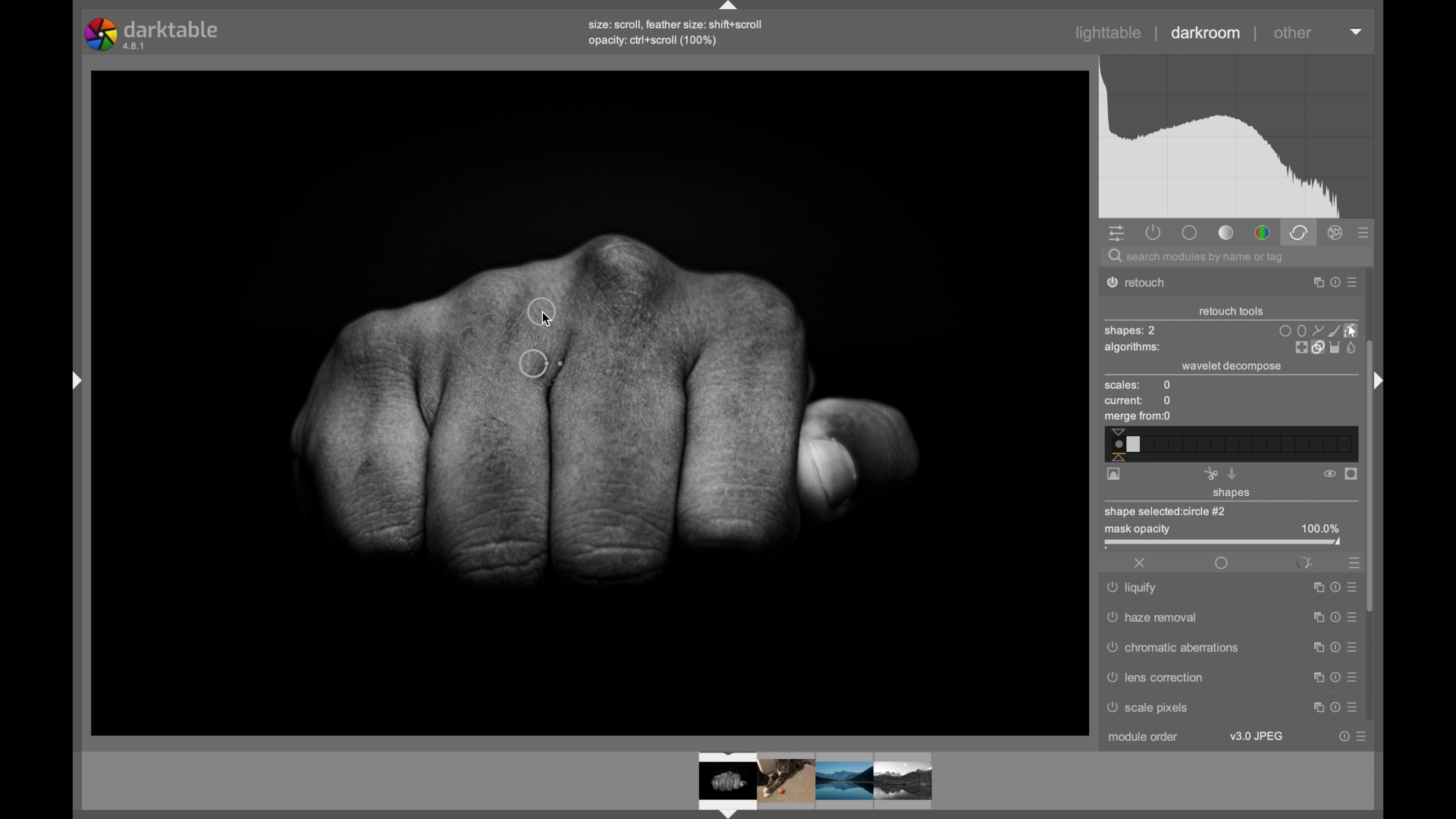  What do you see at coordinates (1153, 617) in the screenshot?
I see `haze removal` at bounding box center [1153, 617].